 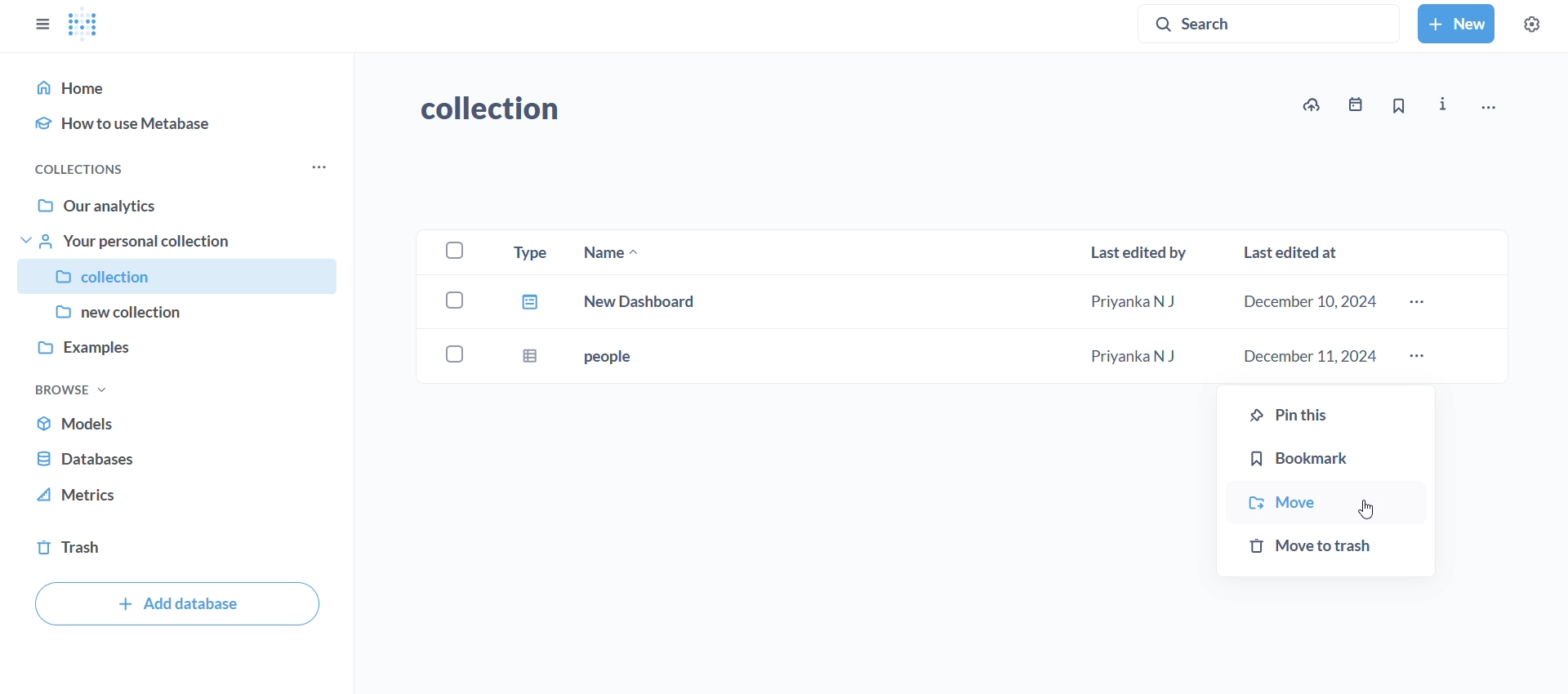 What do you see at coordinates (180, 277) in the screenshot?
I see `collection` at bounding box center [180, 277].